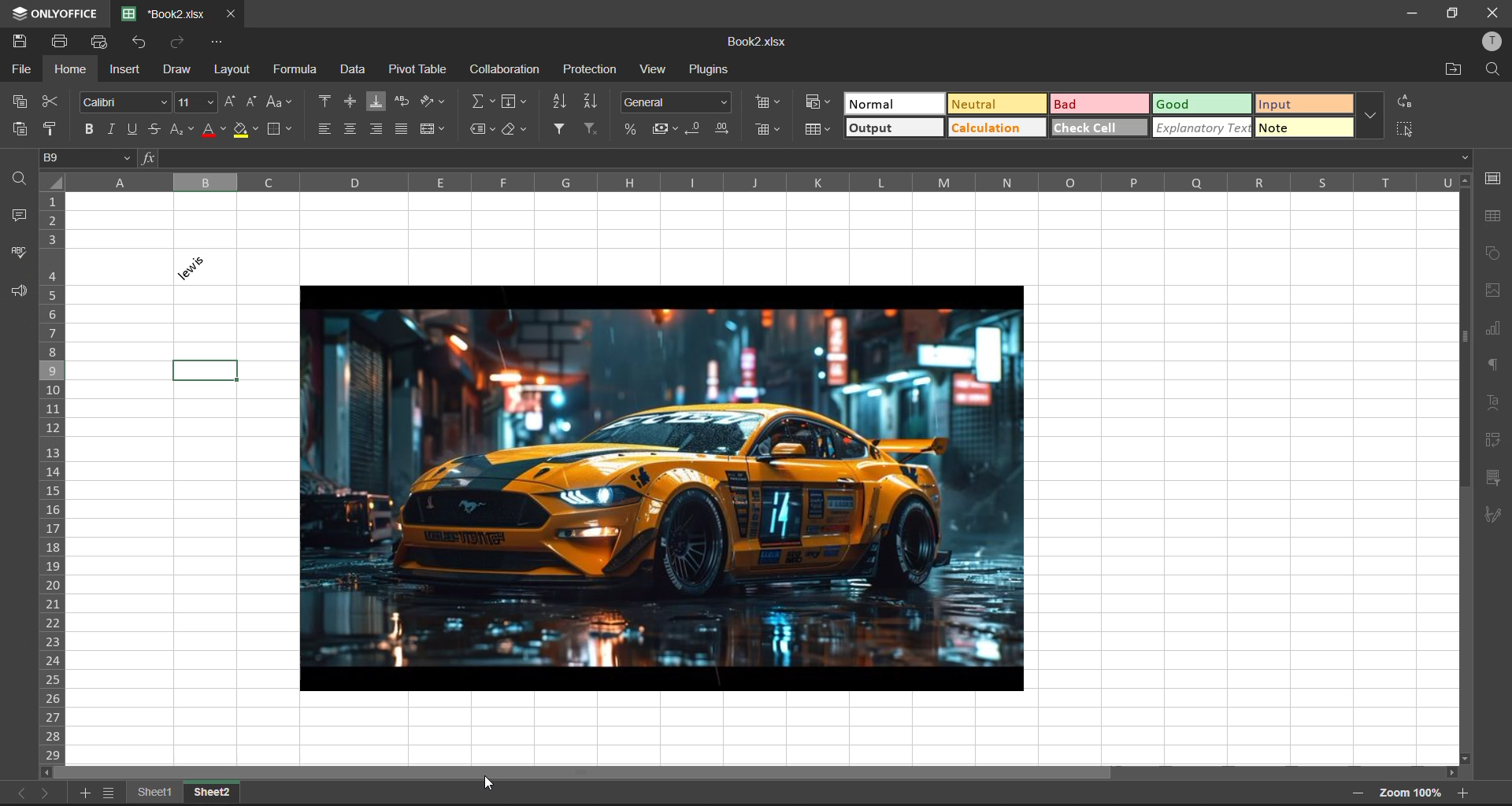 The height and width of the screenshot is (806, 1512). I want to click on align middle, so click(352, 102).